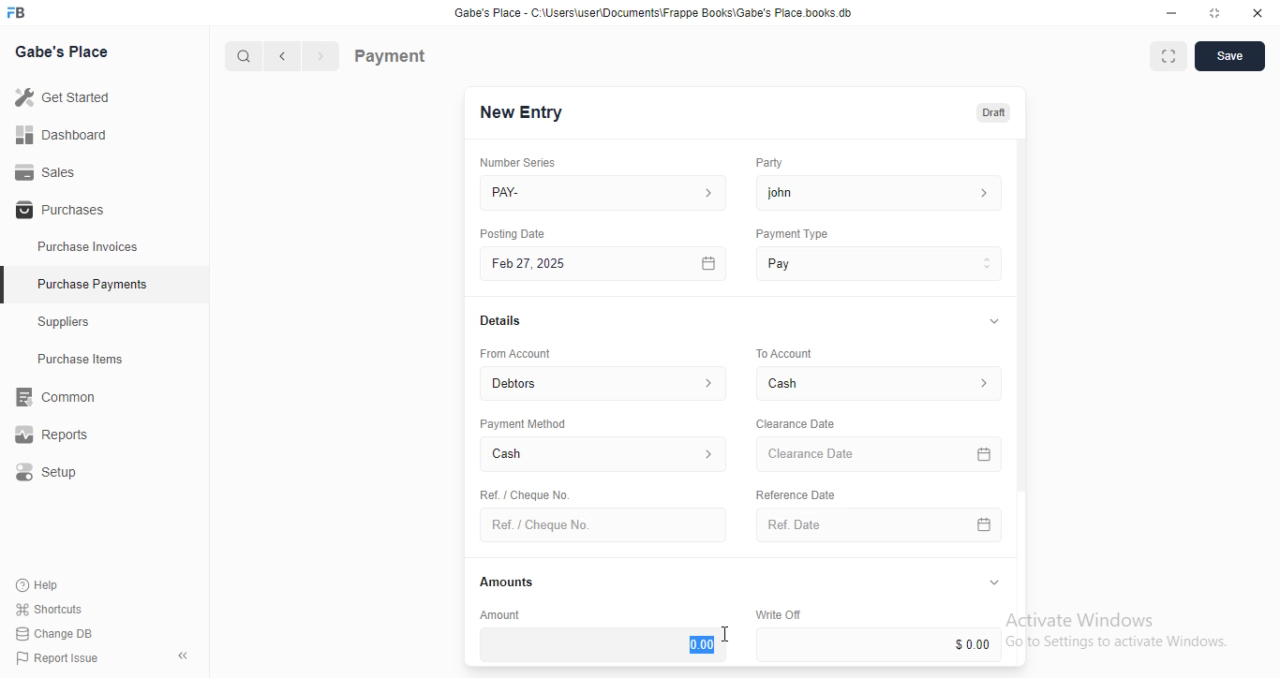 The height and width of the screenshot is (678, 1280). Describe the element at coordinates (604, 456) in the screenshot. I see `Cash` at that location.